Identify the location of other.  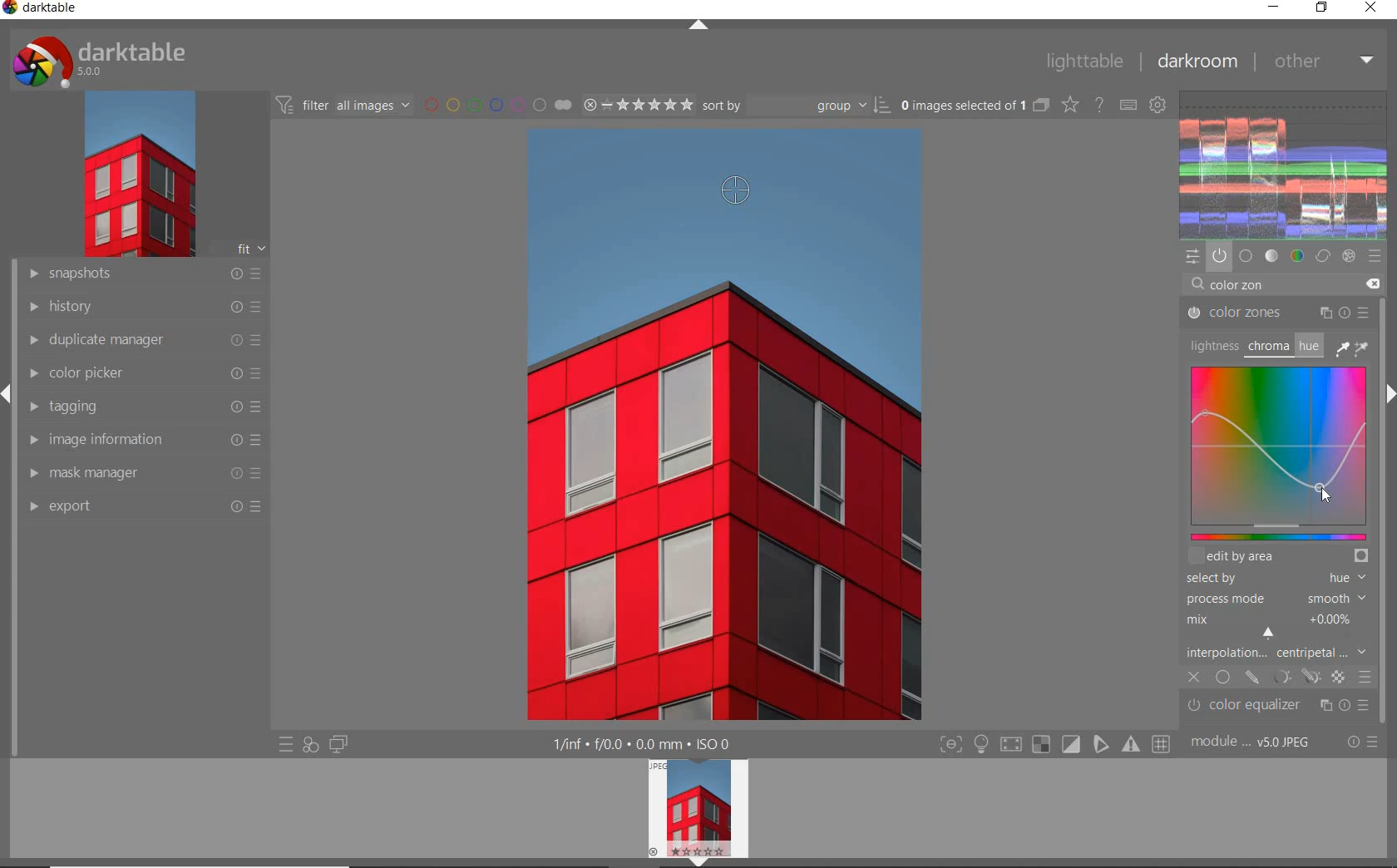
(1324, 60).